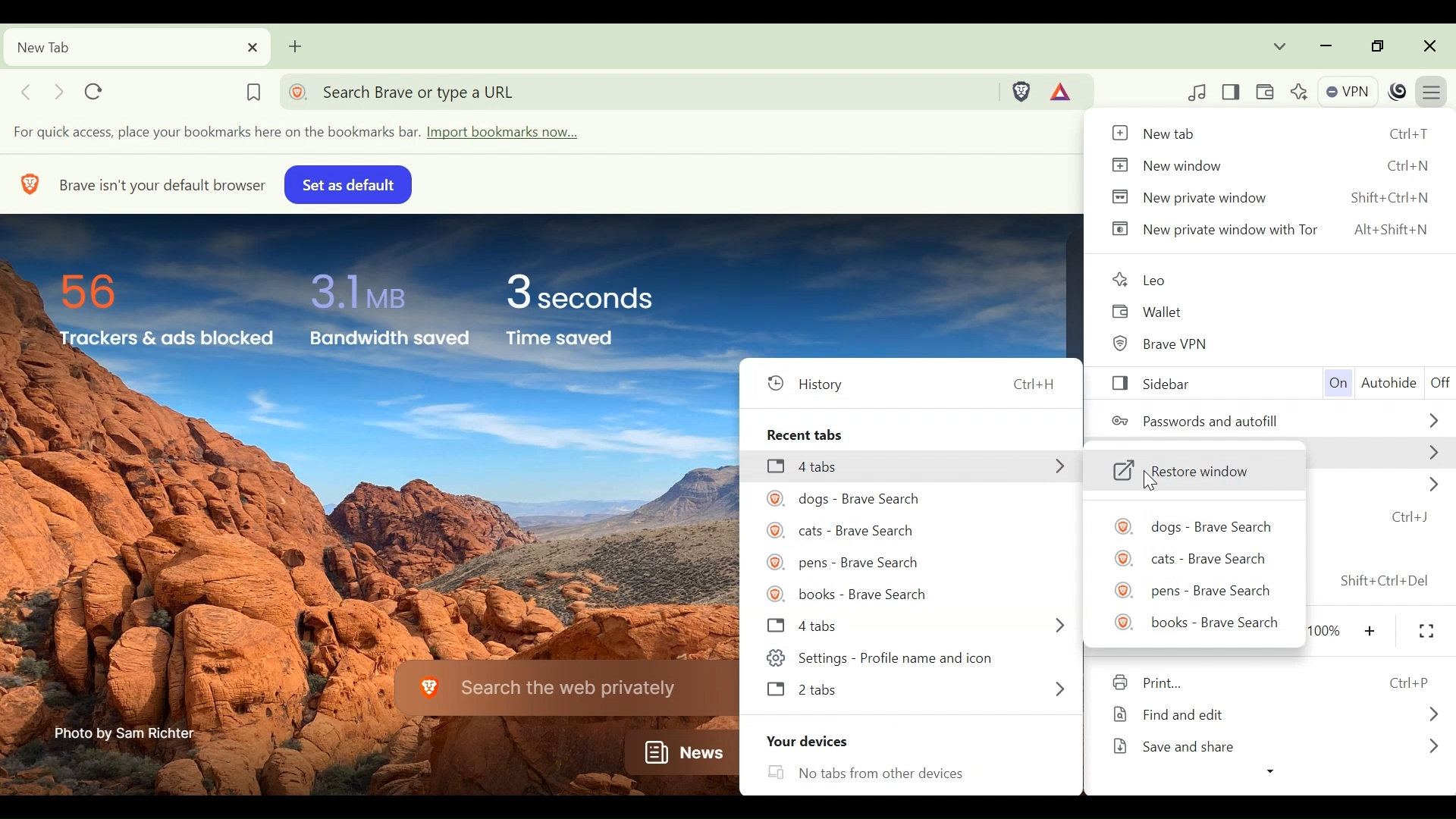  What do you see at coordinates (639, 90) in the screenshot?
I see `Address bar` at bounding box center [639, 90].